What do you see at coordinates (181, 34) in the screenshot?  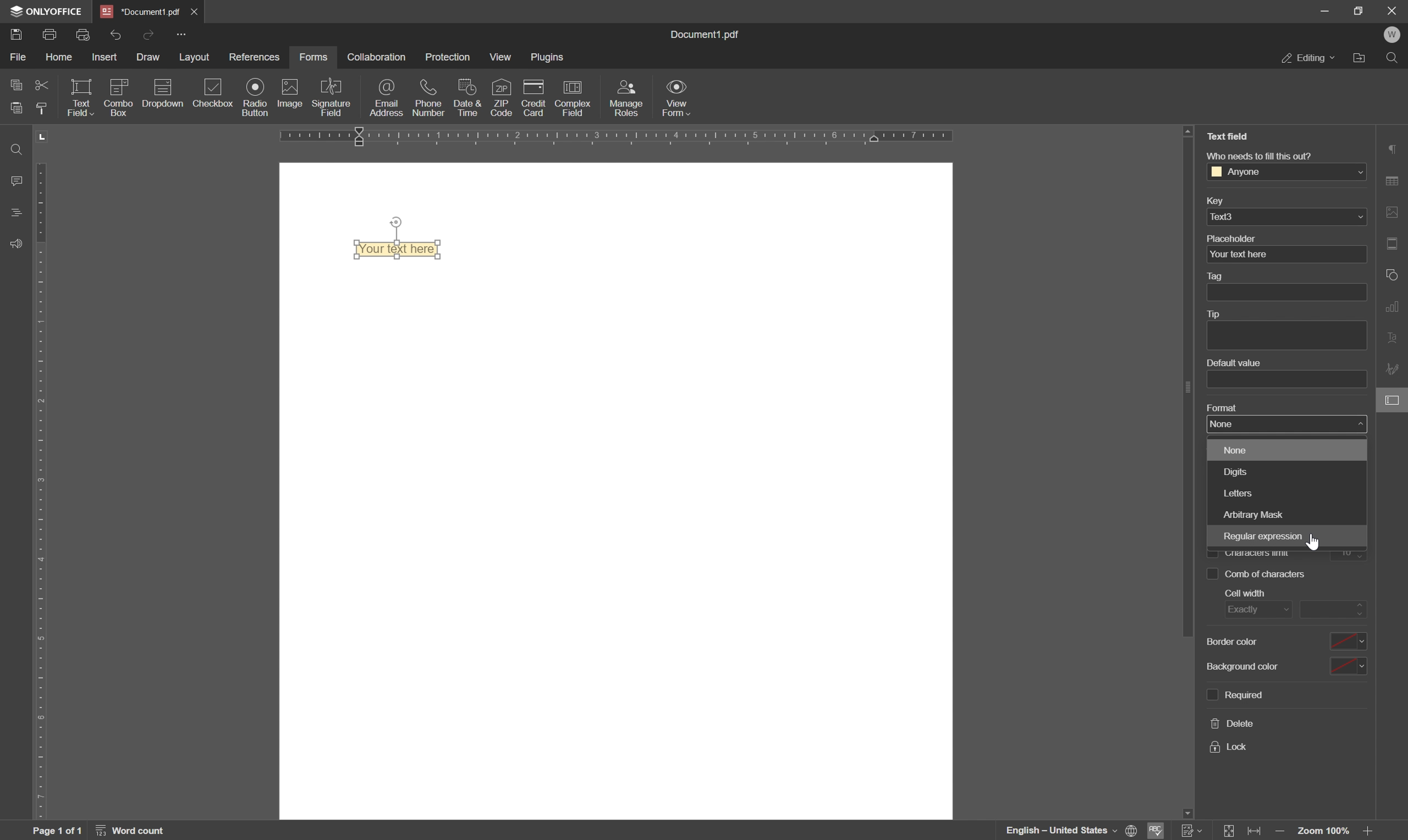 I see `Quick Access Toolbar` at bounding box center [181, 34].